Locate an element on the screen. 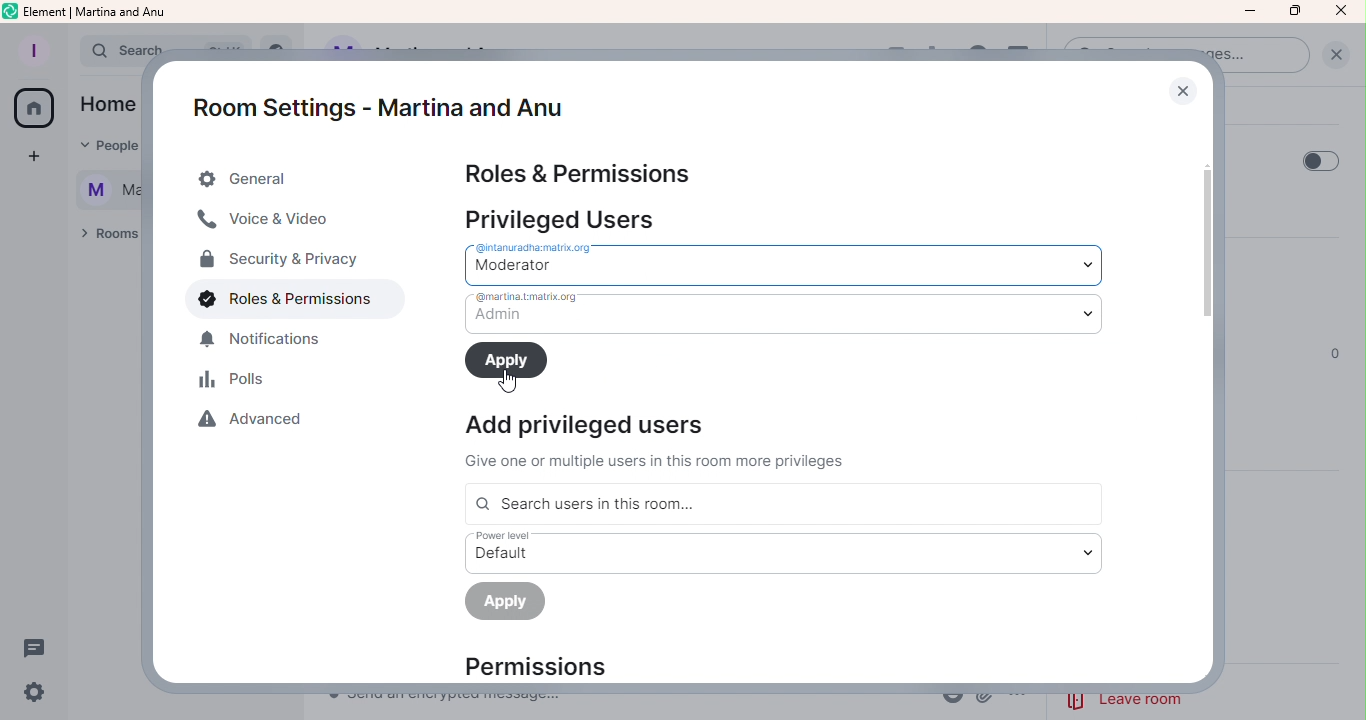 This screenshot has height=720, width=1366. Power level is located at coordinates (781, 552).